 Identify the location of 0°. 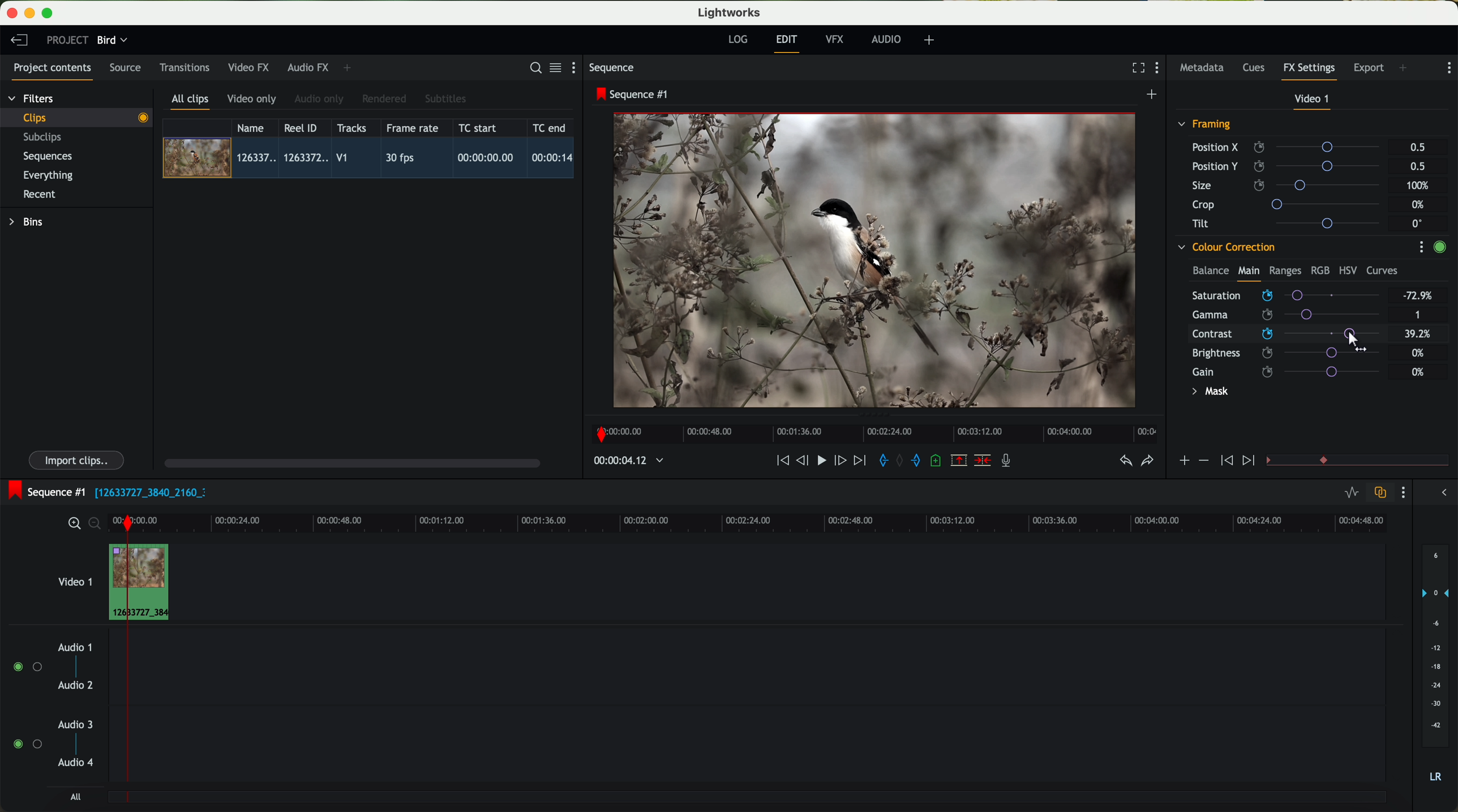
(1418, 223).